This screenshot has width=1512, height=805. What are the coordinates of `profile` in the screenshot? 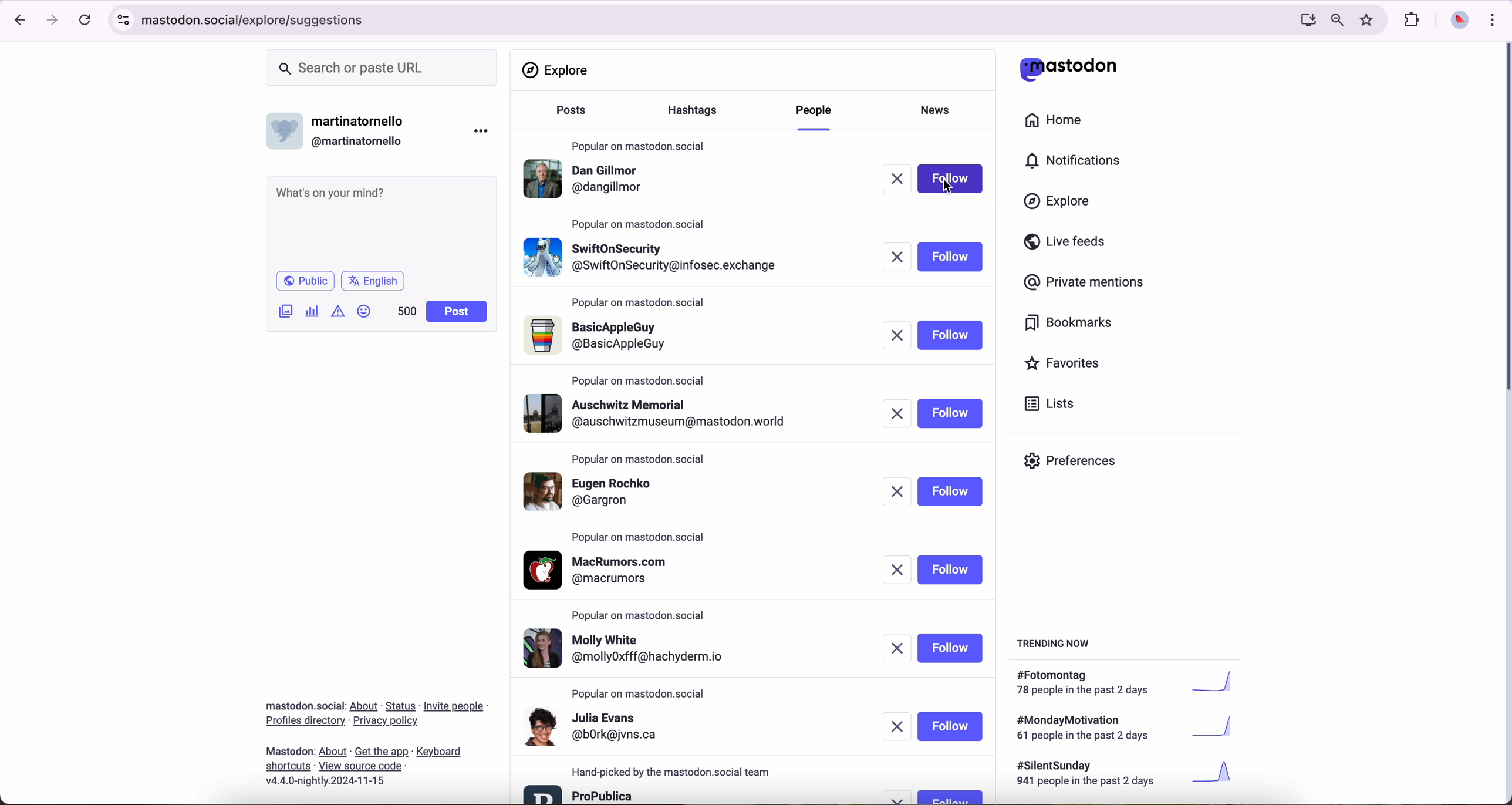 It's located at (635, 649).